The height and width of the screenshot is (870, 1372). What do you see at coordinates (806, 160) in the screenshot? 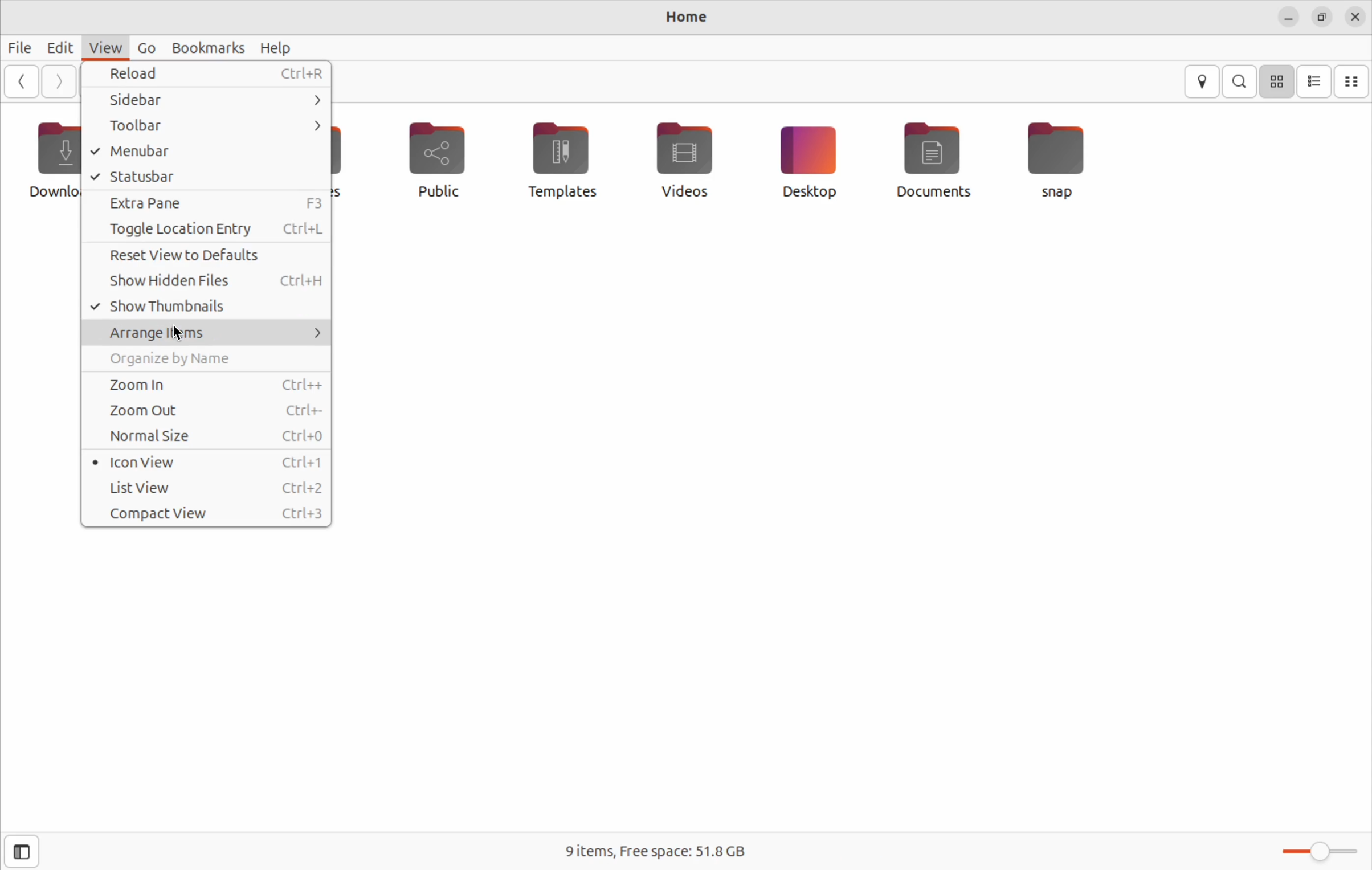
I see `Desktop icon` at bounding box center [806, 160].